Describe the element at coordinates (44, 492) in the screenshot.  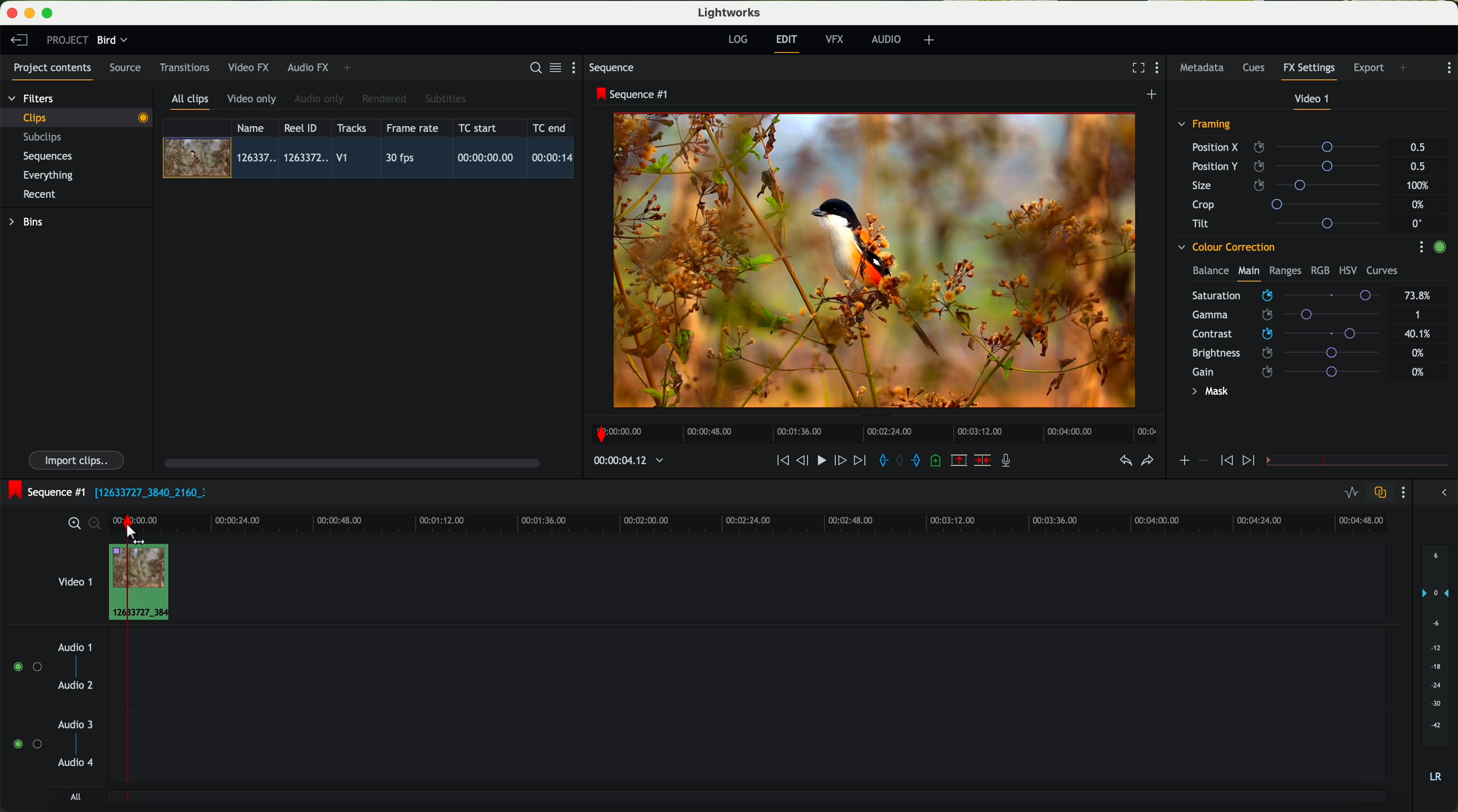
I see `sequence #1` at that location.